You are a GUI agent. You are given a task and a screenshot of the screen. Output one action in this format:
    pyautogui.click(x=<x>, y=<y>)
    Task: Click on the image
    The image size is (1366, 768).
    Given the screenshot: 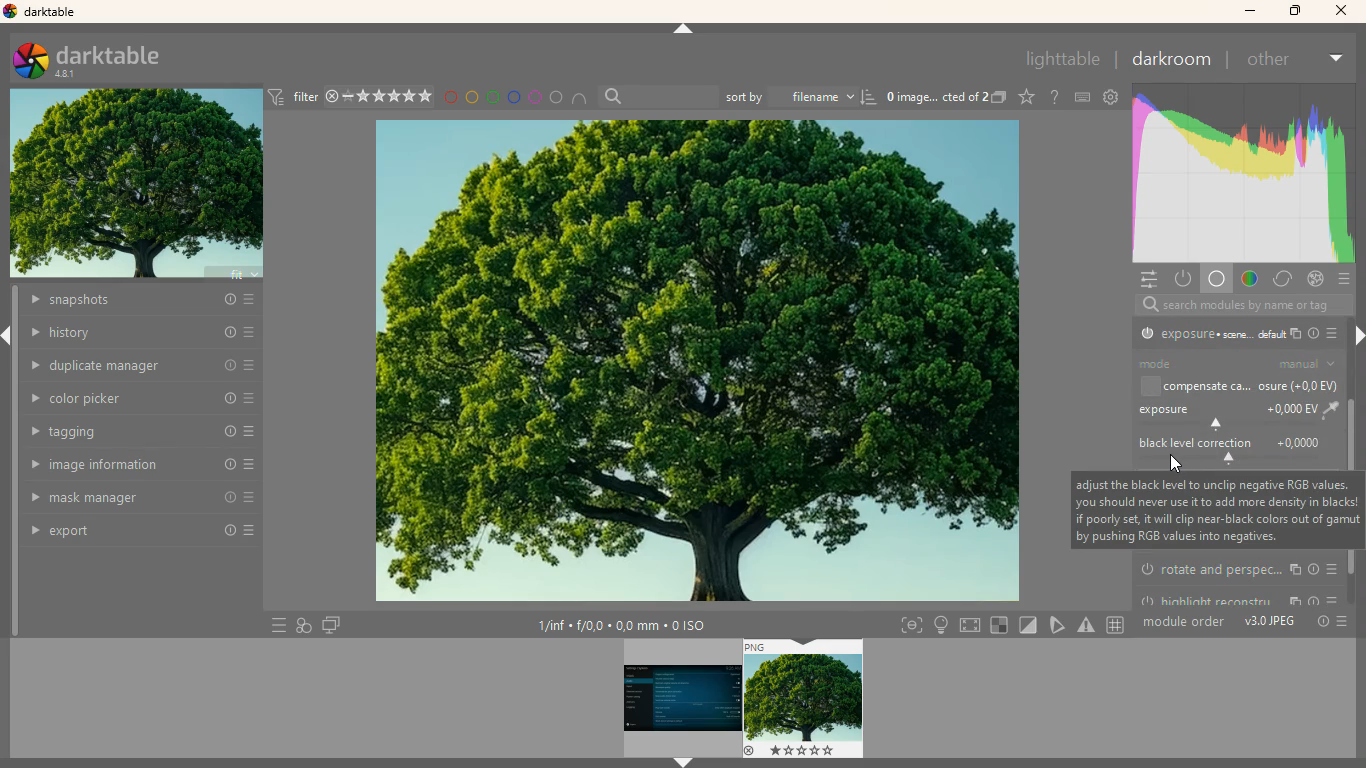 What is the action you would take?
    pyautogui.click(x=803, y=697)
    